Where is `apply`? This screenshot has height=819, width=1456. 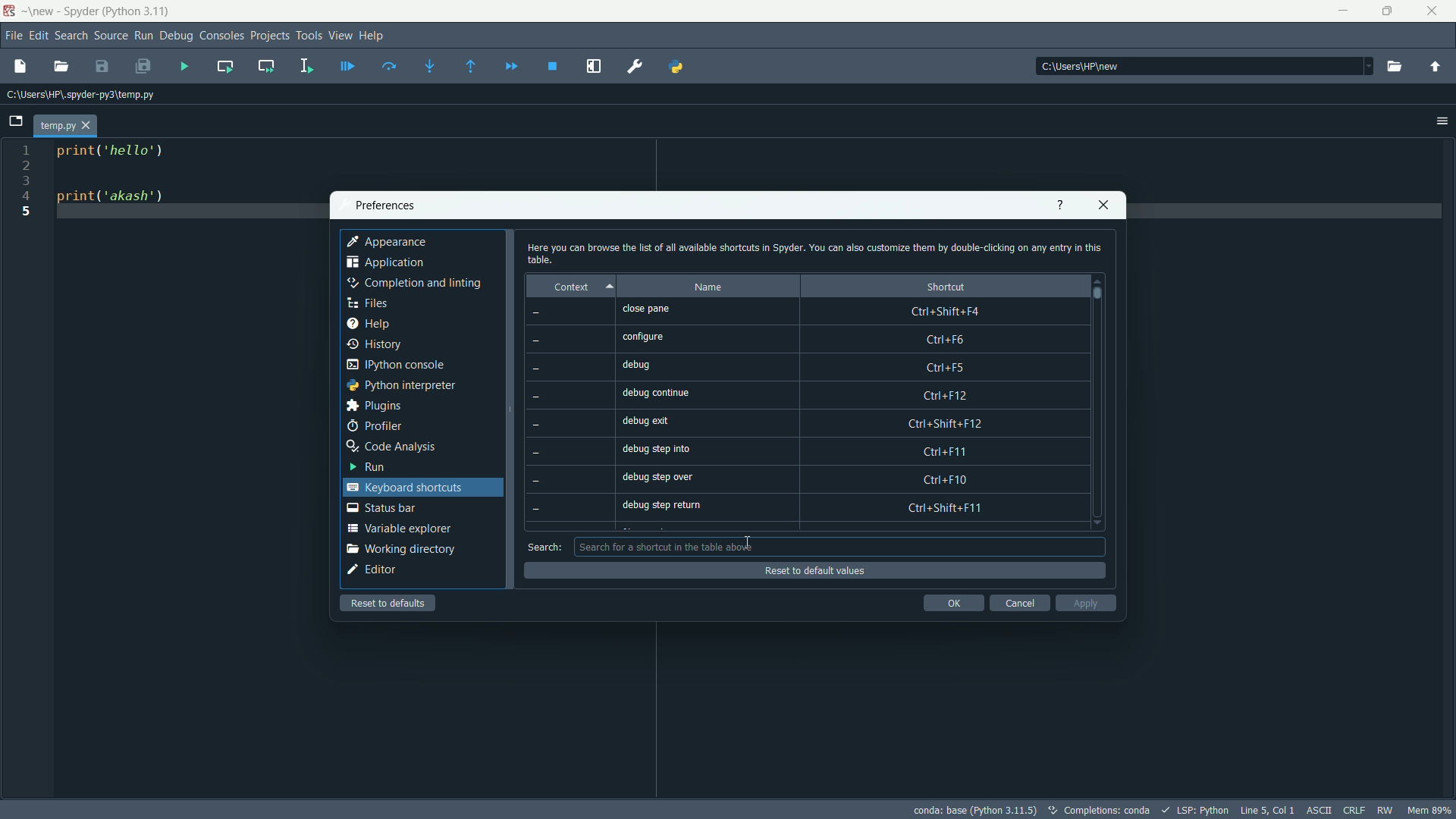
apply is located at coordinates (1084, 603).